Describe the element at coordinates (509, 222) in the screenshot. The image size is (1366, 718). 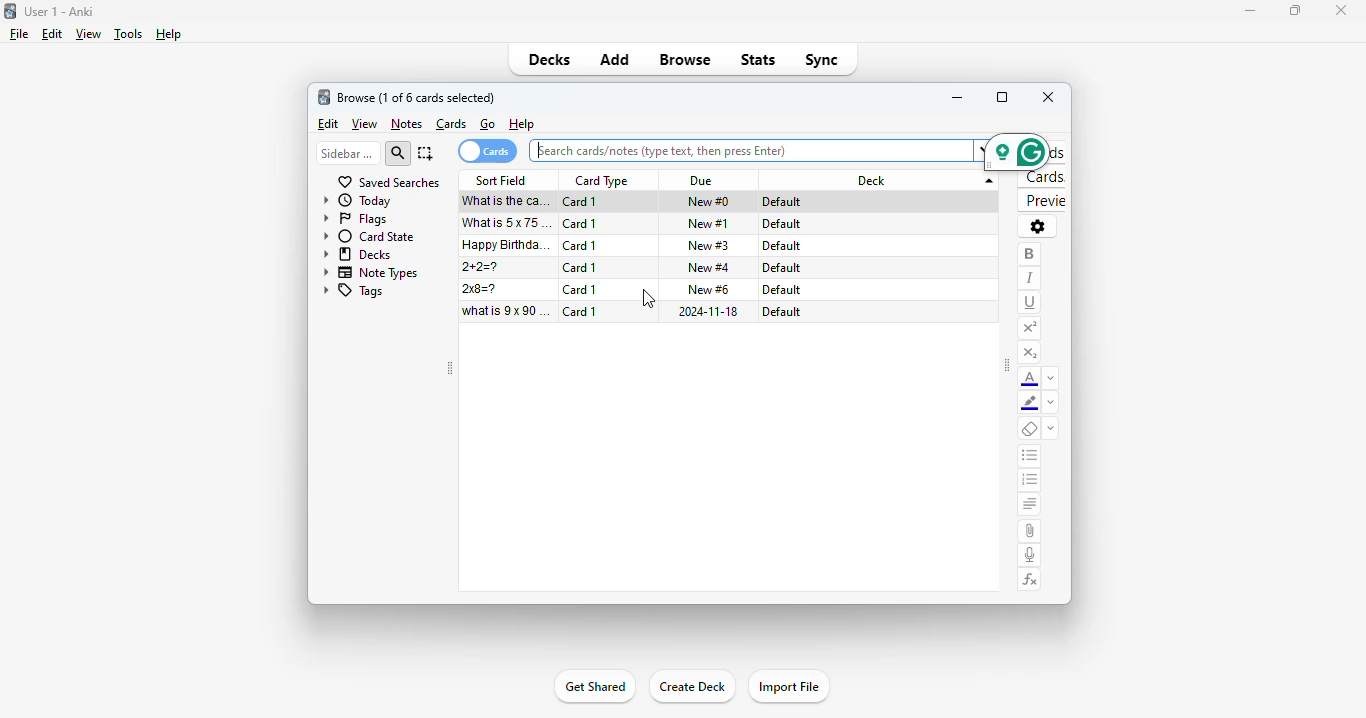
I see `what is 5x75=?` at that location.